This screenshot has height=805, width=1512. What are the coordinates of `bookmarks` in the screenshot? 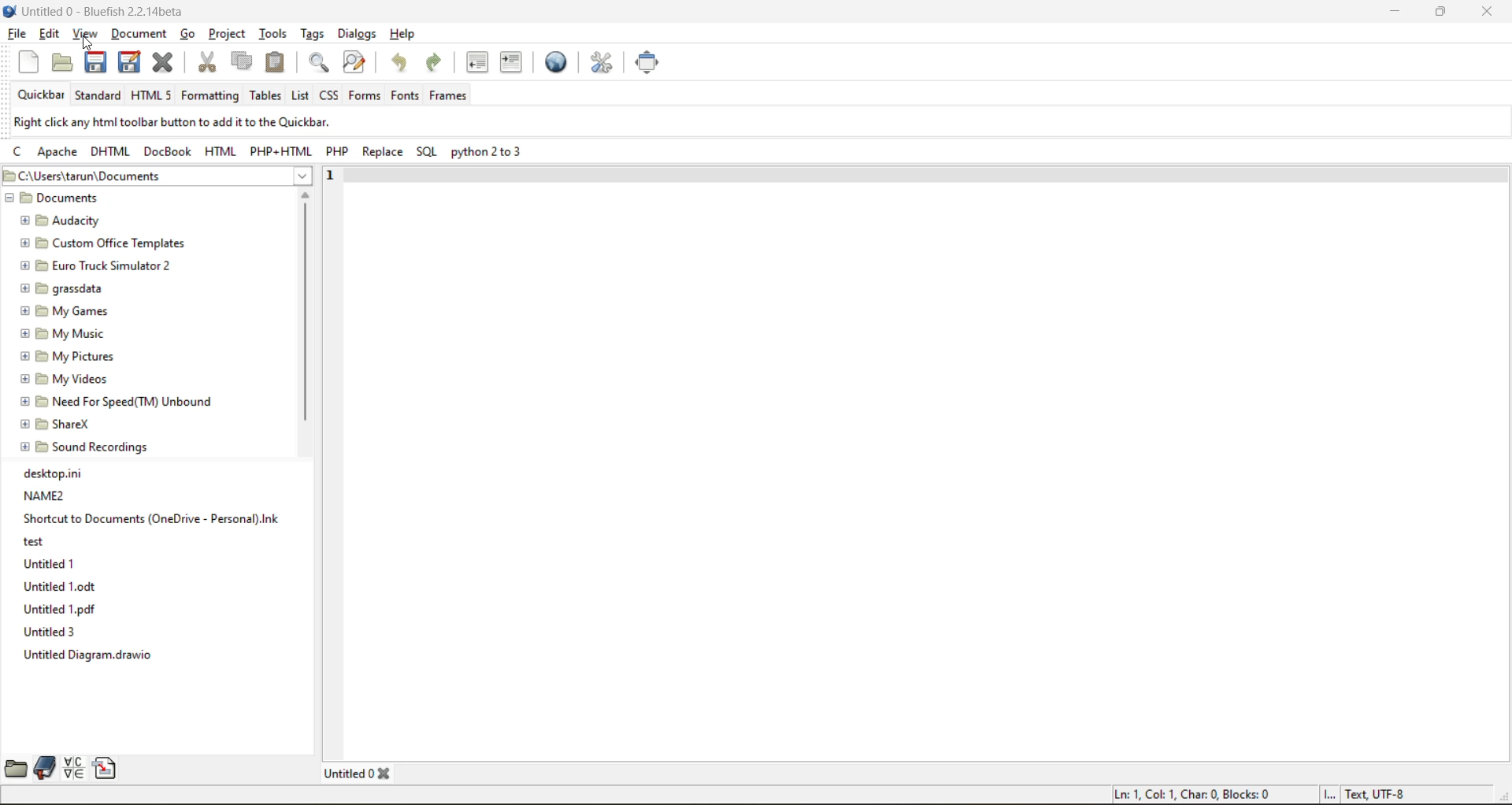 It's located at (47, 766).